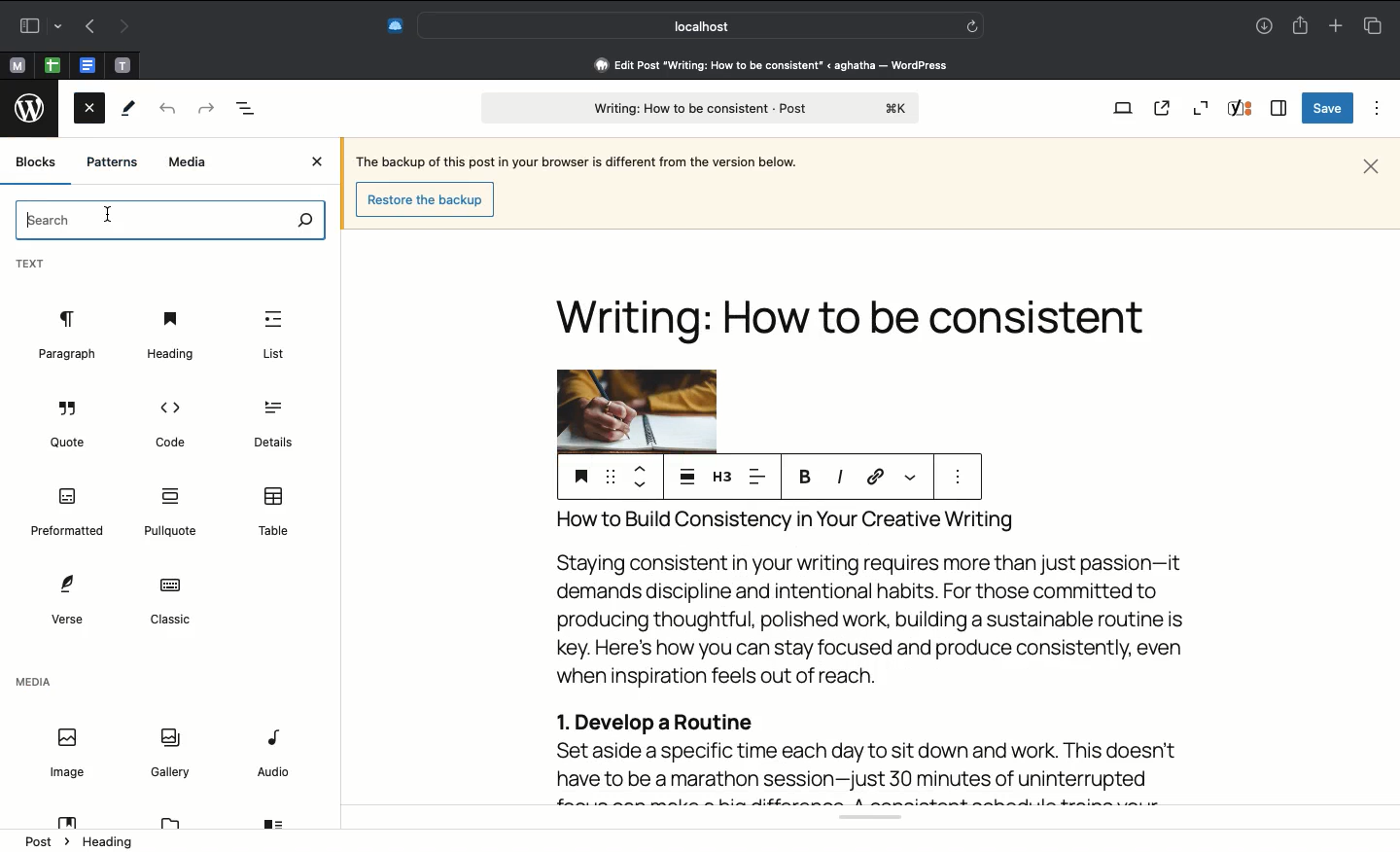 This screenshot has height=852, width=1400. What do you see at coordinates (858, 302) in the screenshot?
I see `Headline` at bounding box center [858, 302].